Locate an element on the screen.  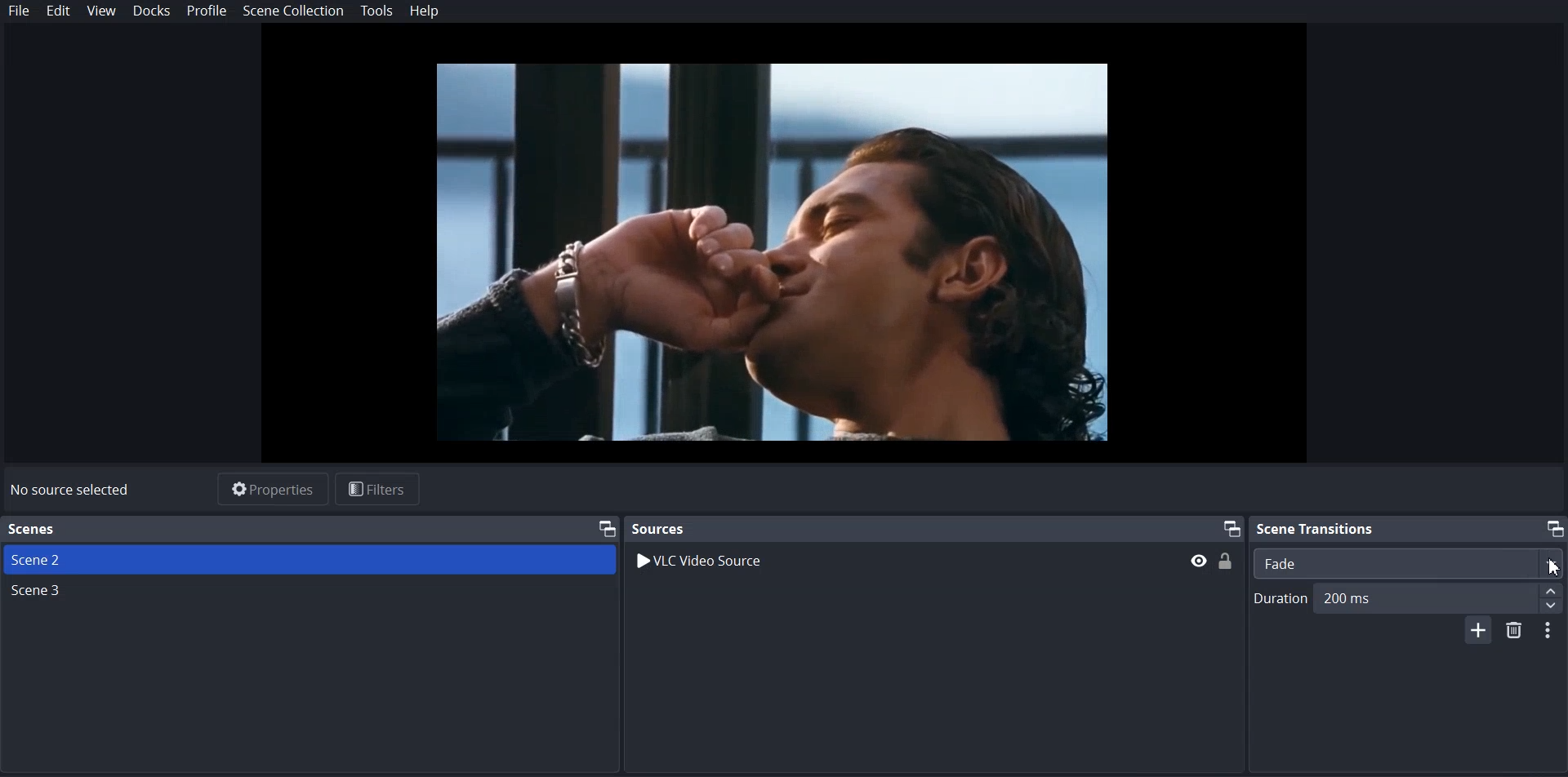
Sources is located at coordinates (933, 528).